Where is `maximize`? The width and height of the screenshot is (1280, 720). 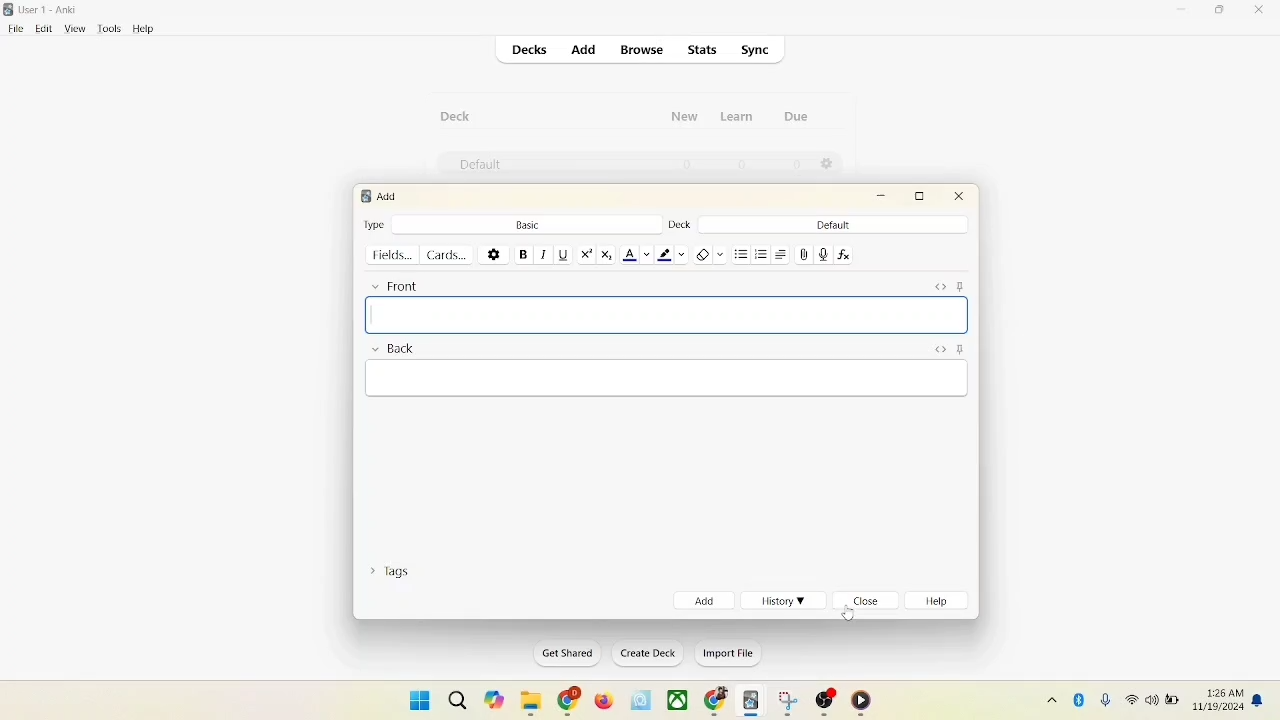
maximize is located at coordinates (1222, 13).